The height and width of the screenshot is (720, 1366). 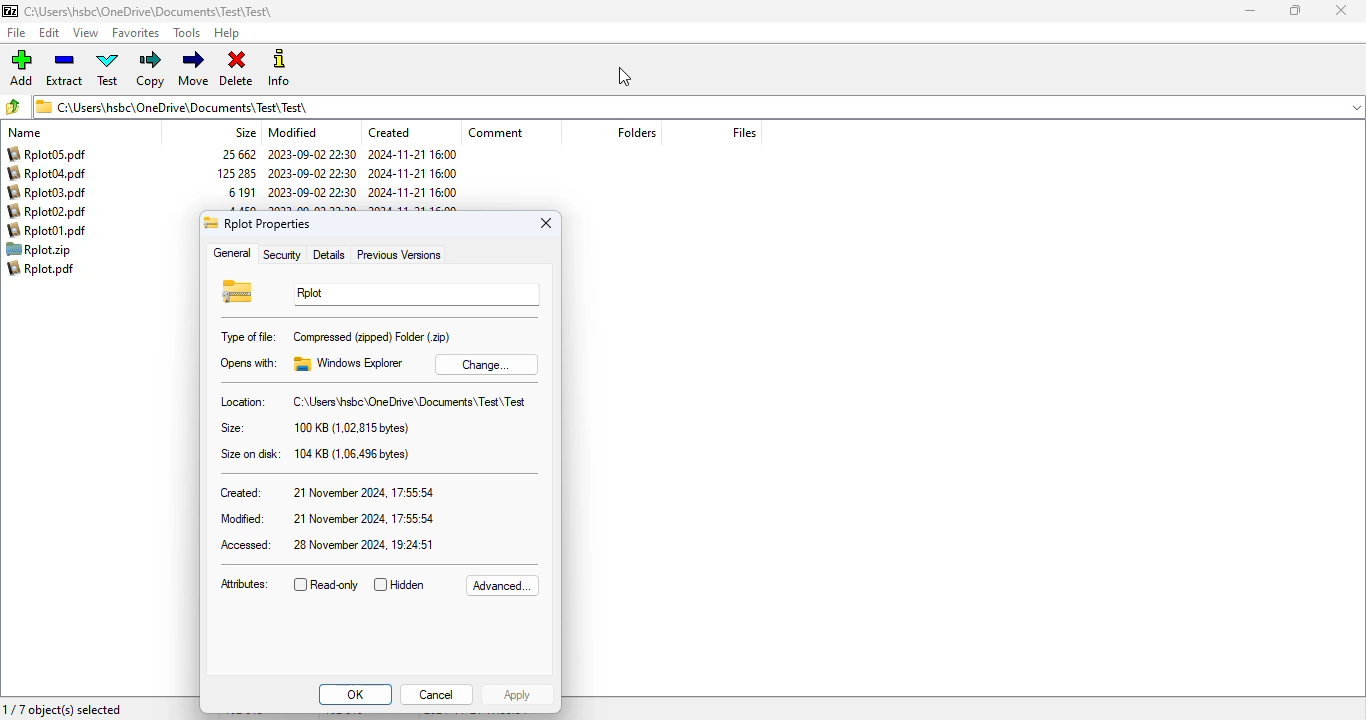 I want to click on details, so click(x=330, y=256).